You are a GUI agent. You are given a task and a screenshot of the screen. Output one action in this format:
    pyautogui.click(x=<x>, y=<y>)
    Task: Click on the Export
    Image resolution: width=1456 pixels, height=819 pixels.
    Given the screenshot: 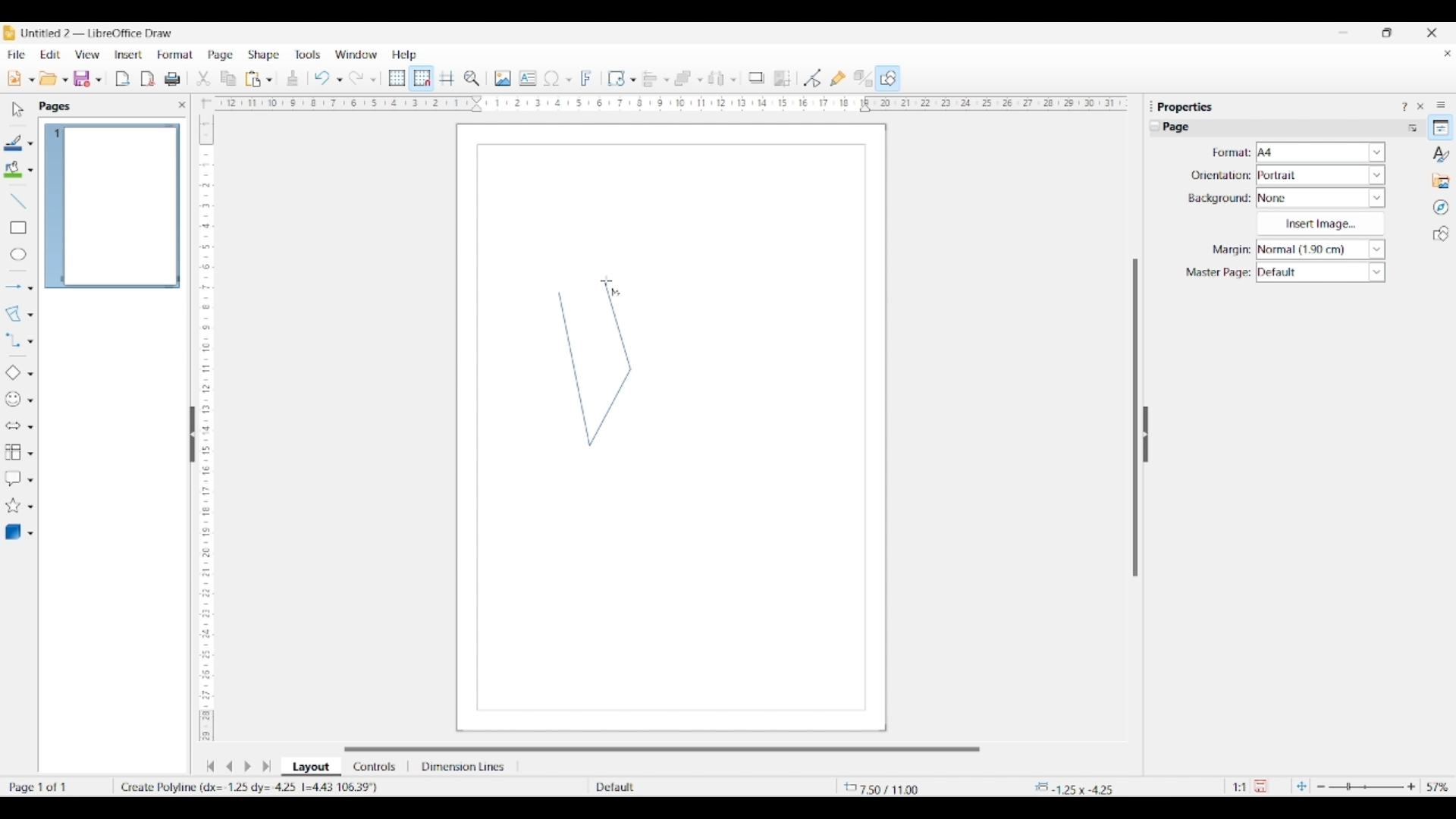 What is the action you would take?
    pyautogui.click(x=123, y=79)
    